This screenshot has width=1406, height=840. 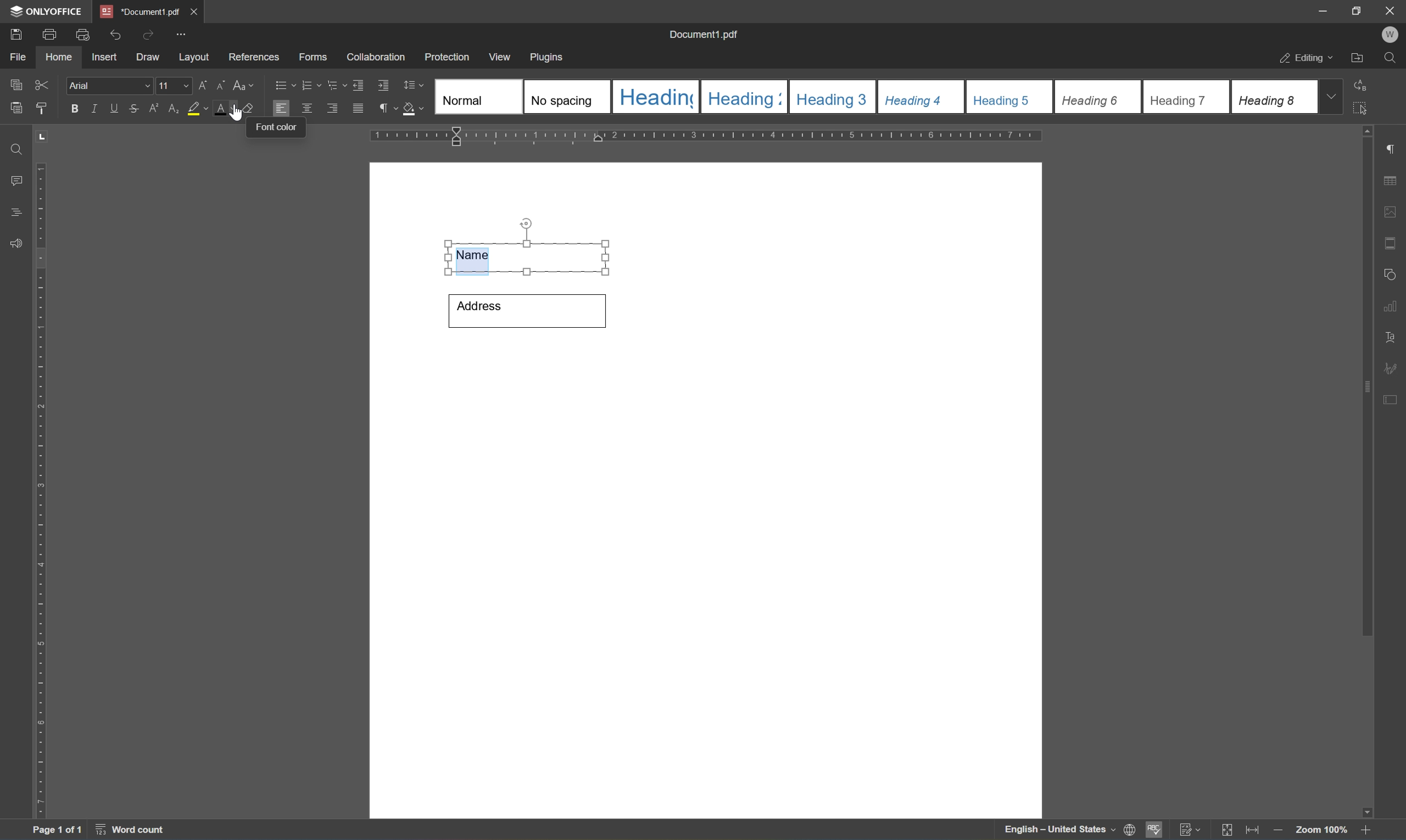 I want to click on find, so click(x=1390, y=58).